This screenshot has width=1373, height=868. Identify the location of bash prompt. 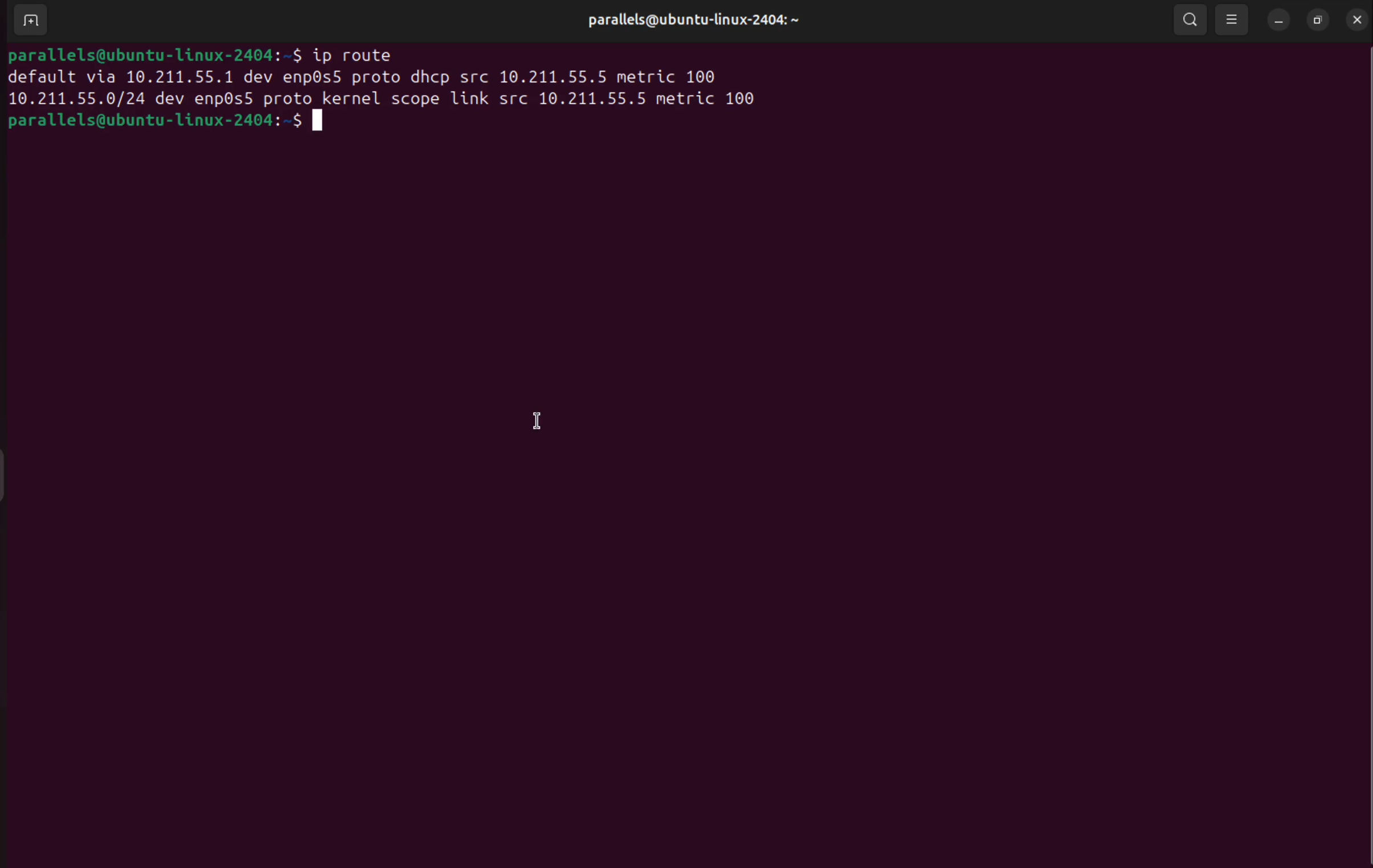
(176, 123).